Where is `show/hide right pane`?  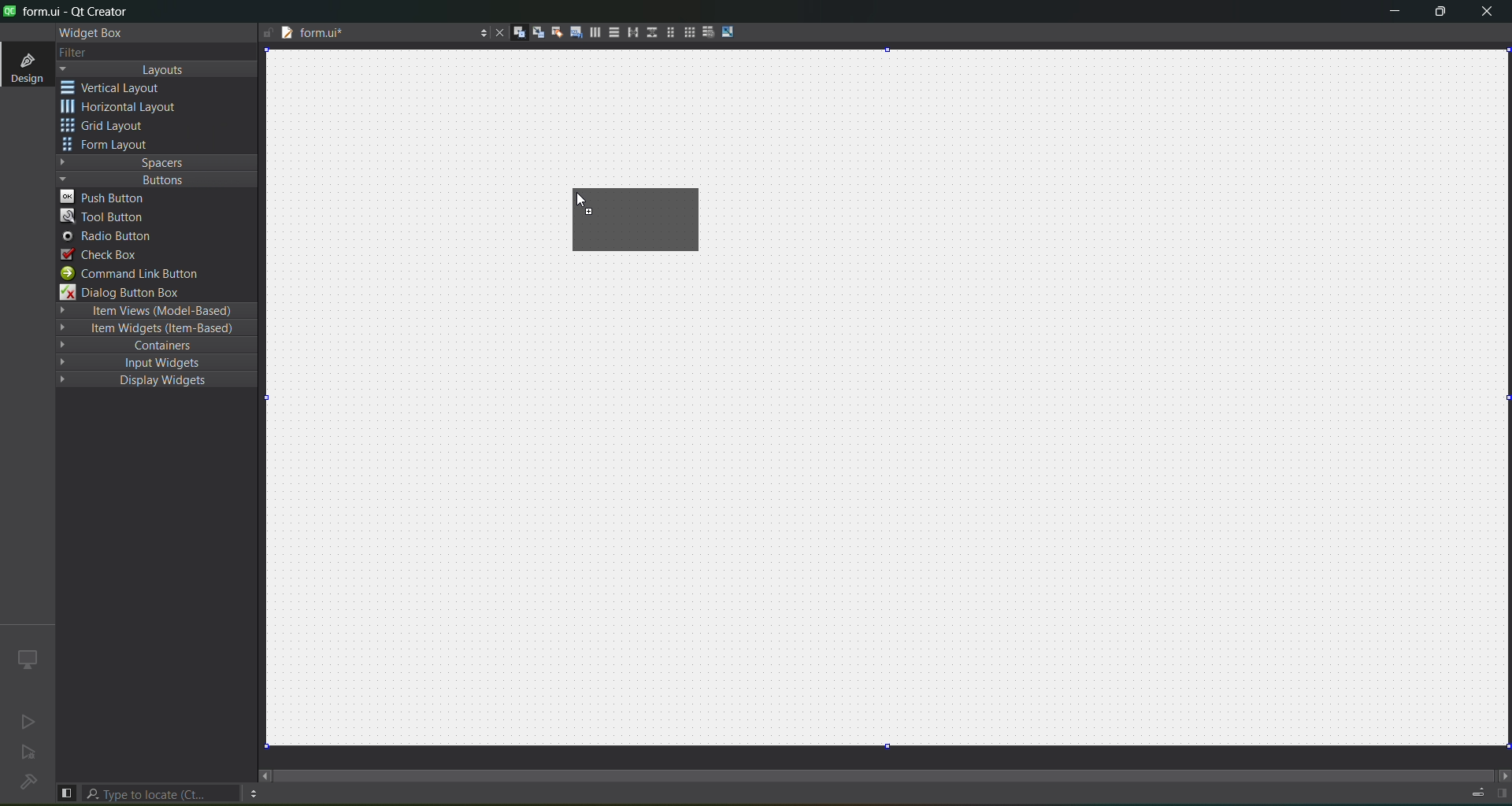
show/hide right pane is located at coordinates (1501, 793).